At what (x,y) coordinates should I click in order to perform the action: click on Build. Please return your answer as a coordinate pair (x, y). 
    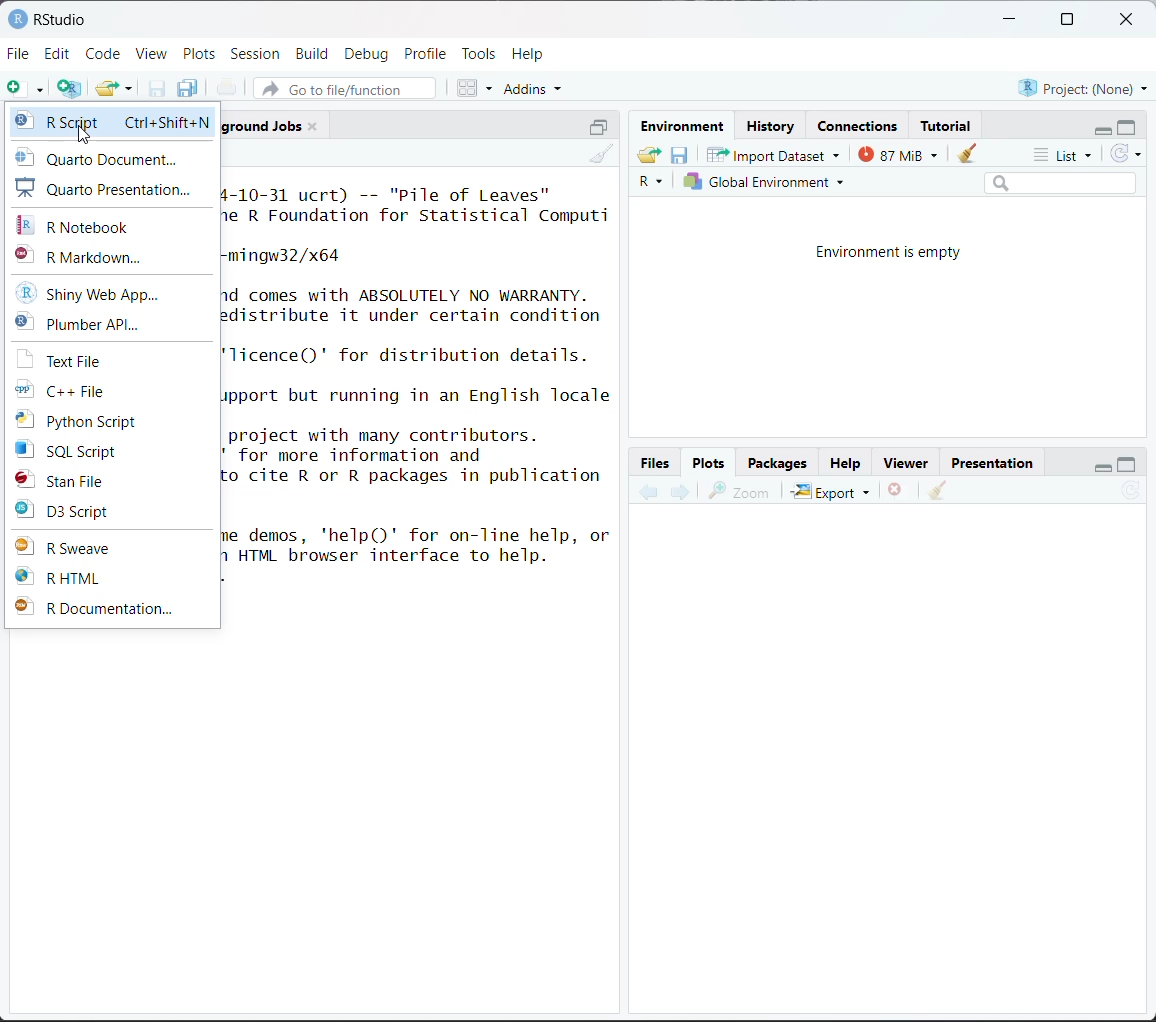
    Looking at the image, I should click on (315, 54).